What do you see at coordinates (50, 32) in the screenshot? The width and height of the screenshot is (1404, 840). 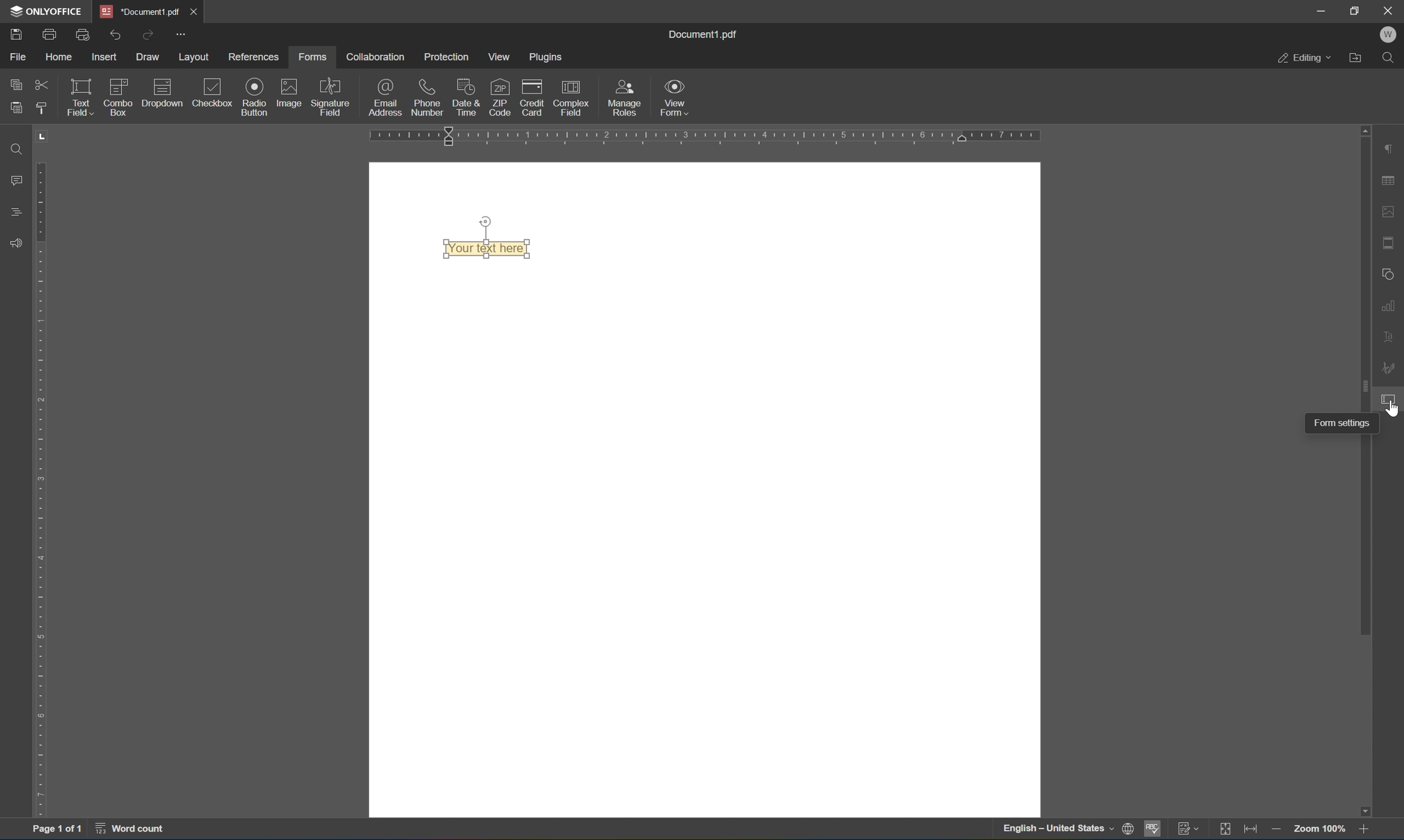 I see `print` at bounding box center [50, 32].